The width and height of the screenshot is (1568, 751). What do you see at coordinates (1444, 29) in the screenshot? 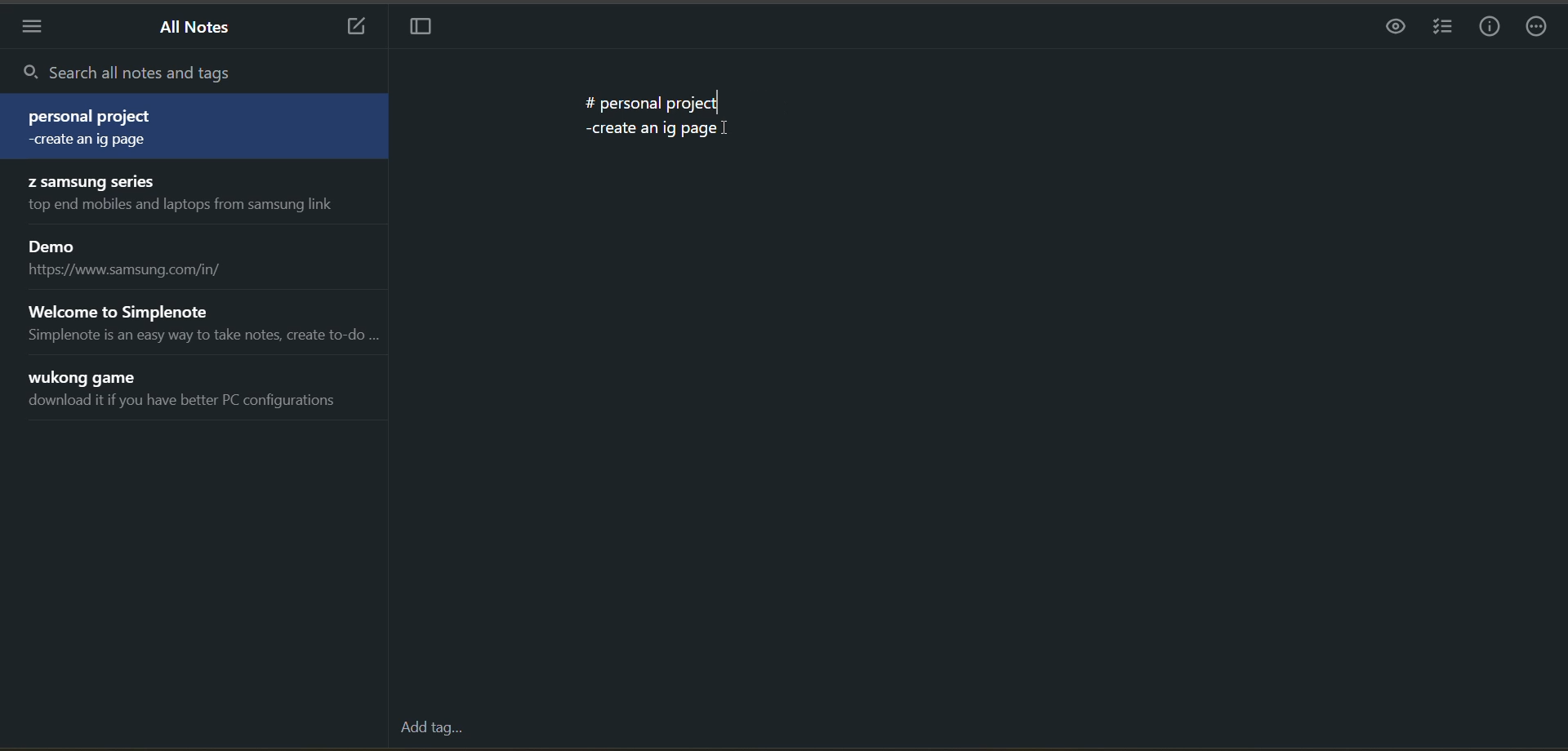
I see `insert checklist` at bounding box center [1444, 29].